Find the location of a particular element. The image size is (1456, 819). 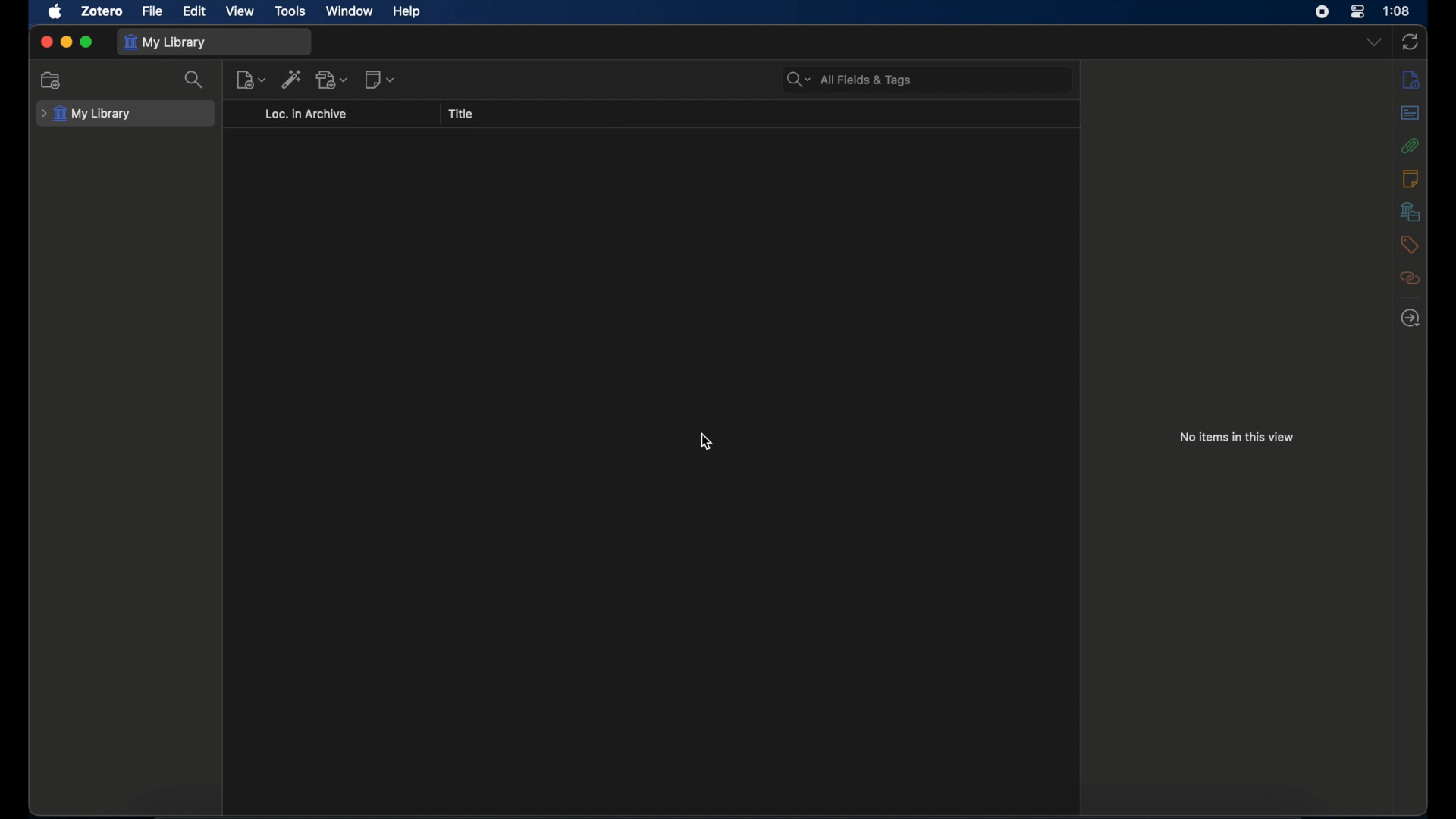

add attachments is located at coordinates (332, 80).